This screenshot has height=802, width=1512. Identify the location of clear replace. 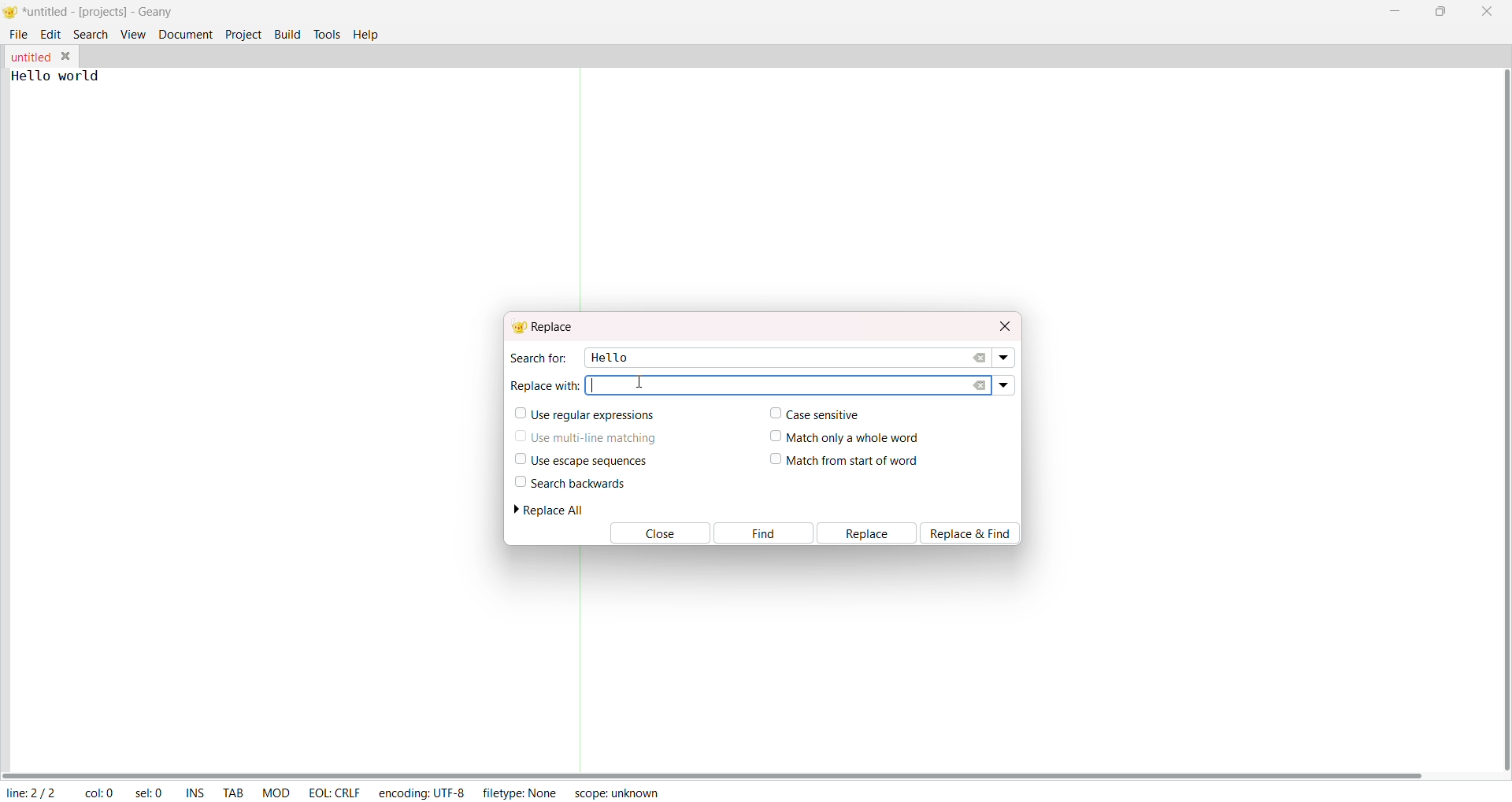
(980, 385).